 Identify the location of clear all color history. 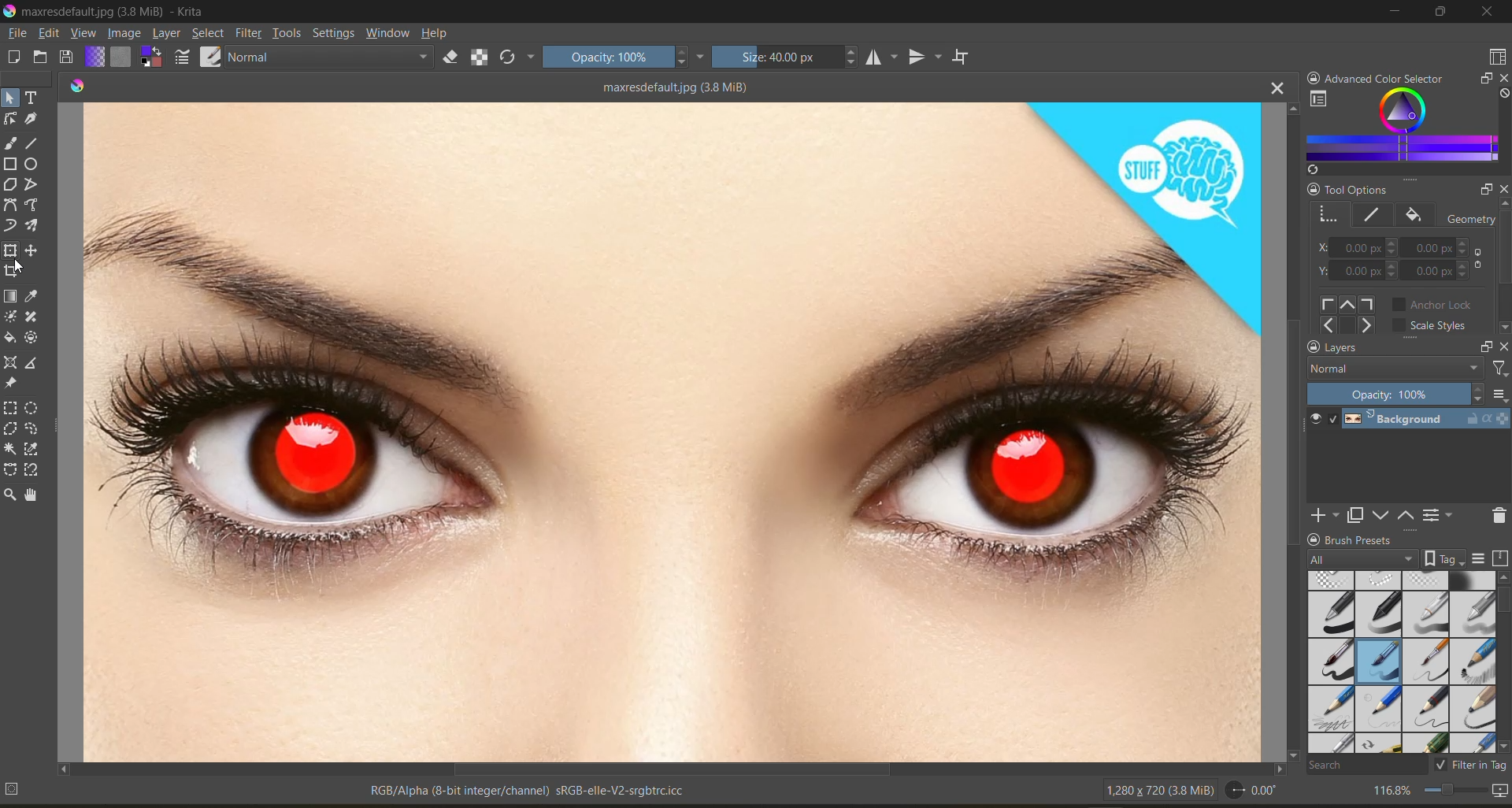
(1503, 96).